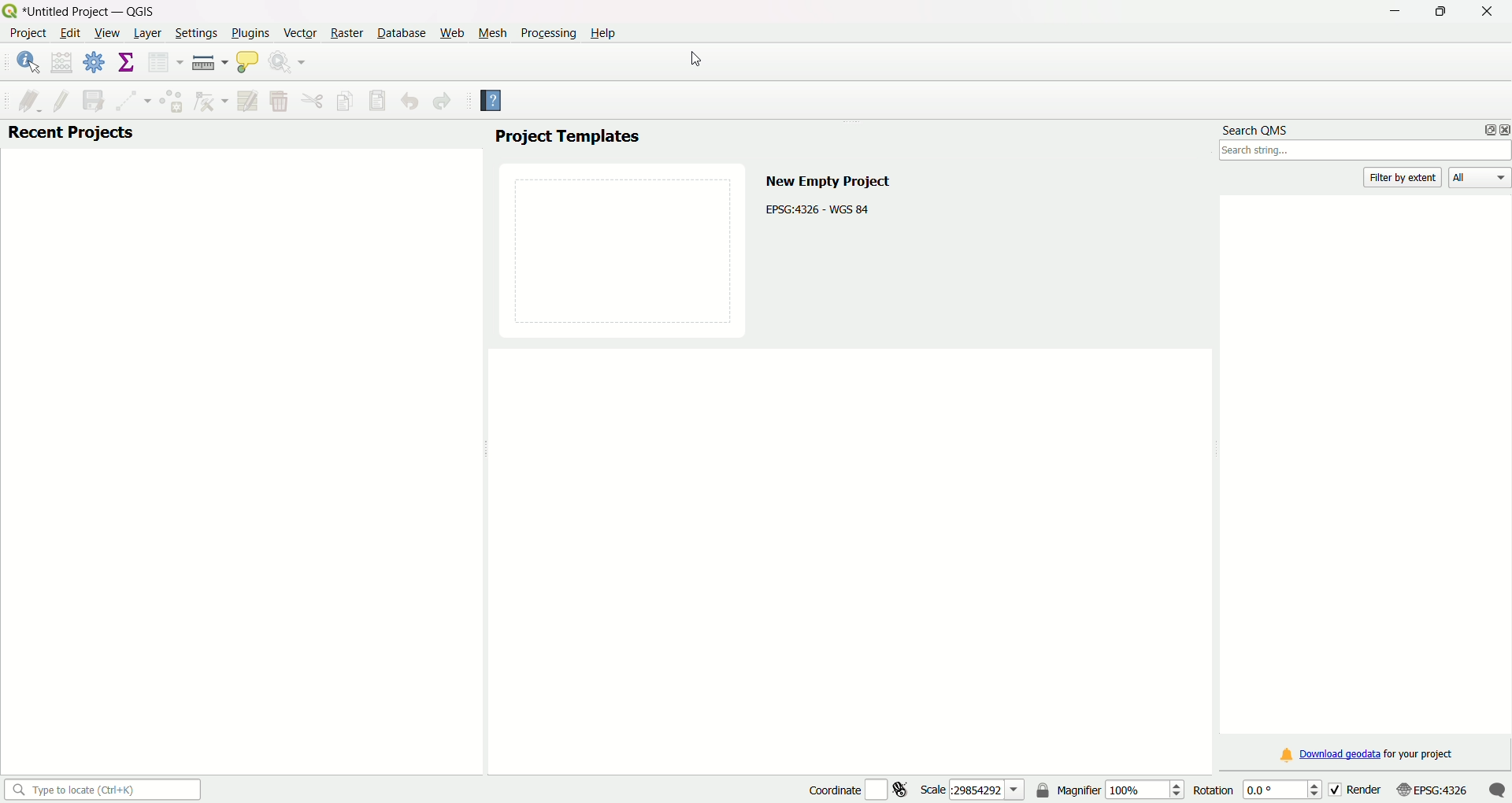 The width and height of the screenshot is (1512, 803). I want to click on add feature, so click(170, 101).